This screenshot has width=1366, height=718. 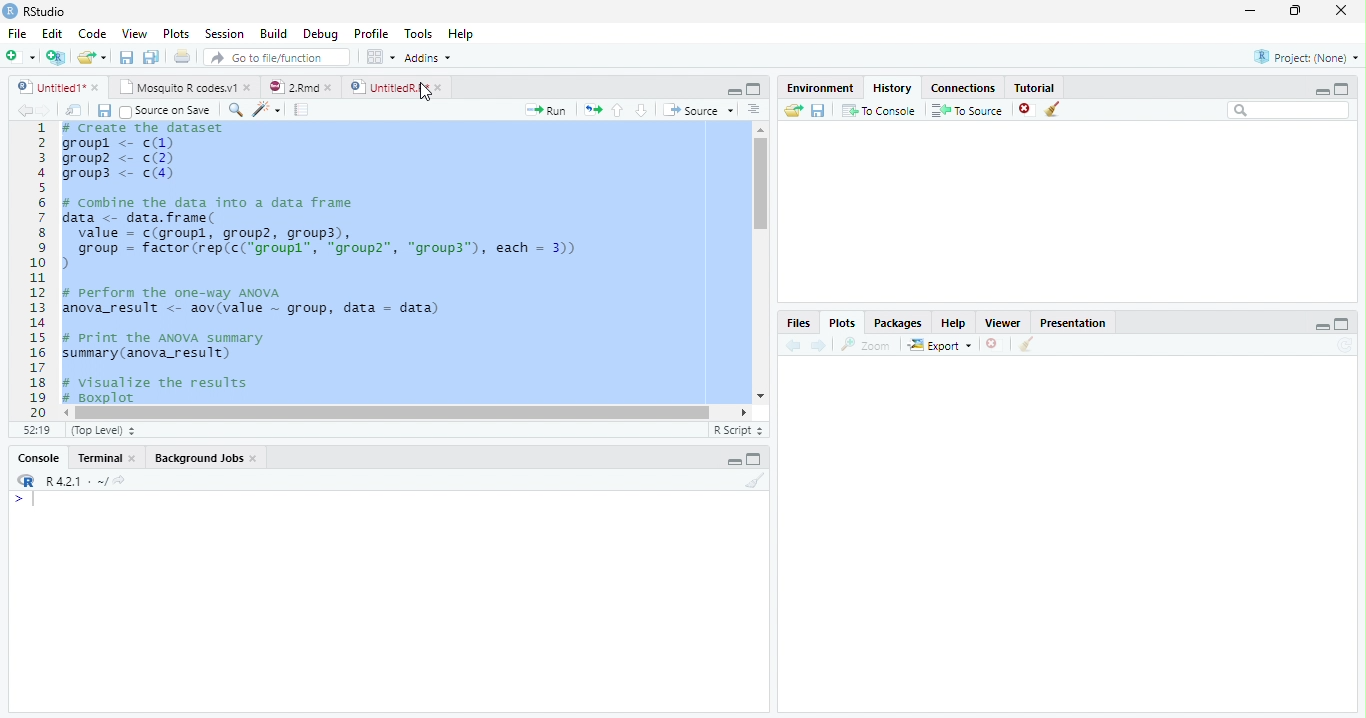 What do you see at coordinates (1322, 328) in the screenshot?
I see `Minimize` at bounding box center [1322, 328].